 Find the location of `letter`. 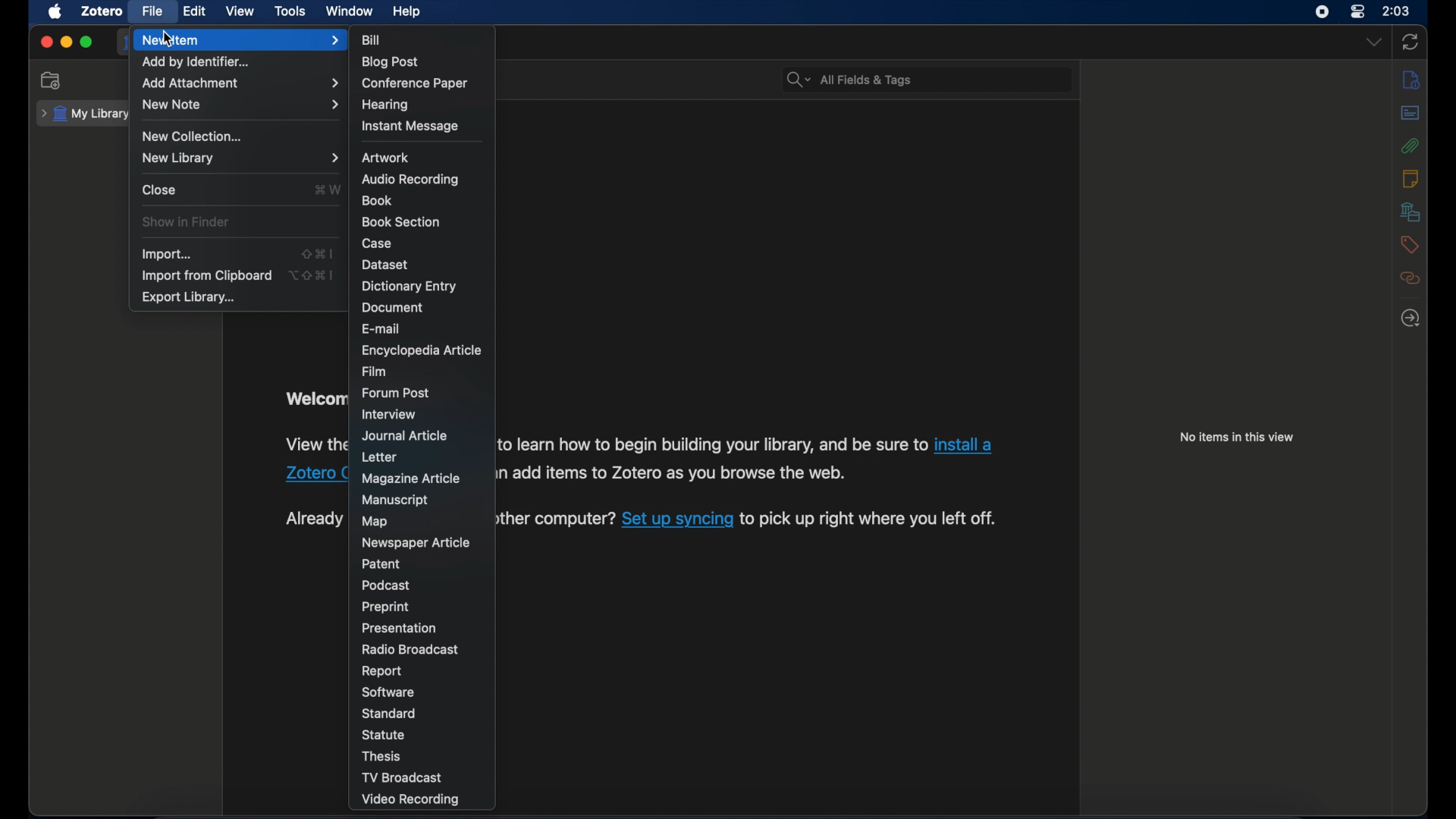

letter is located at coordinates (379, 457).